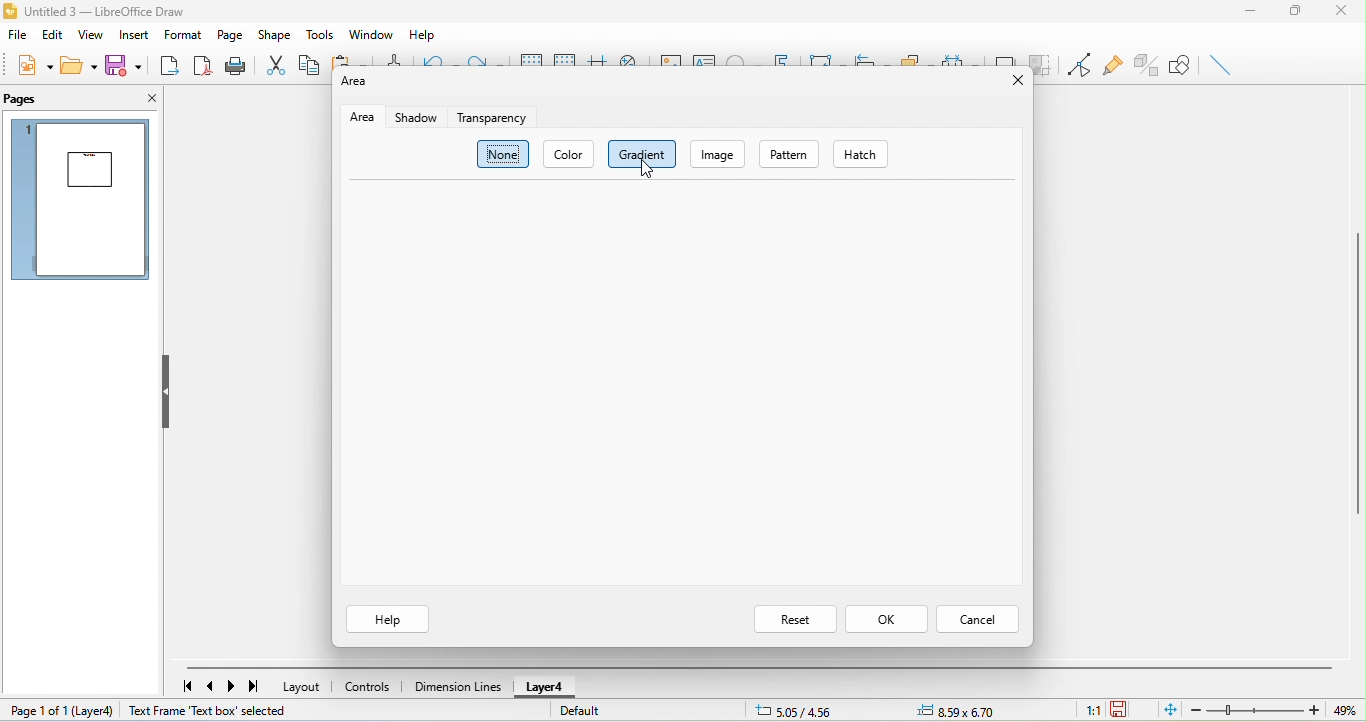 This screenshot has width=1366, height=722. I want to click on image, so click(719, 153).